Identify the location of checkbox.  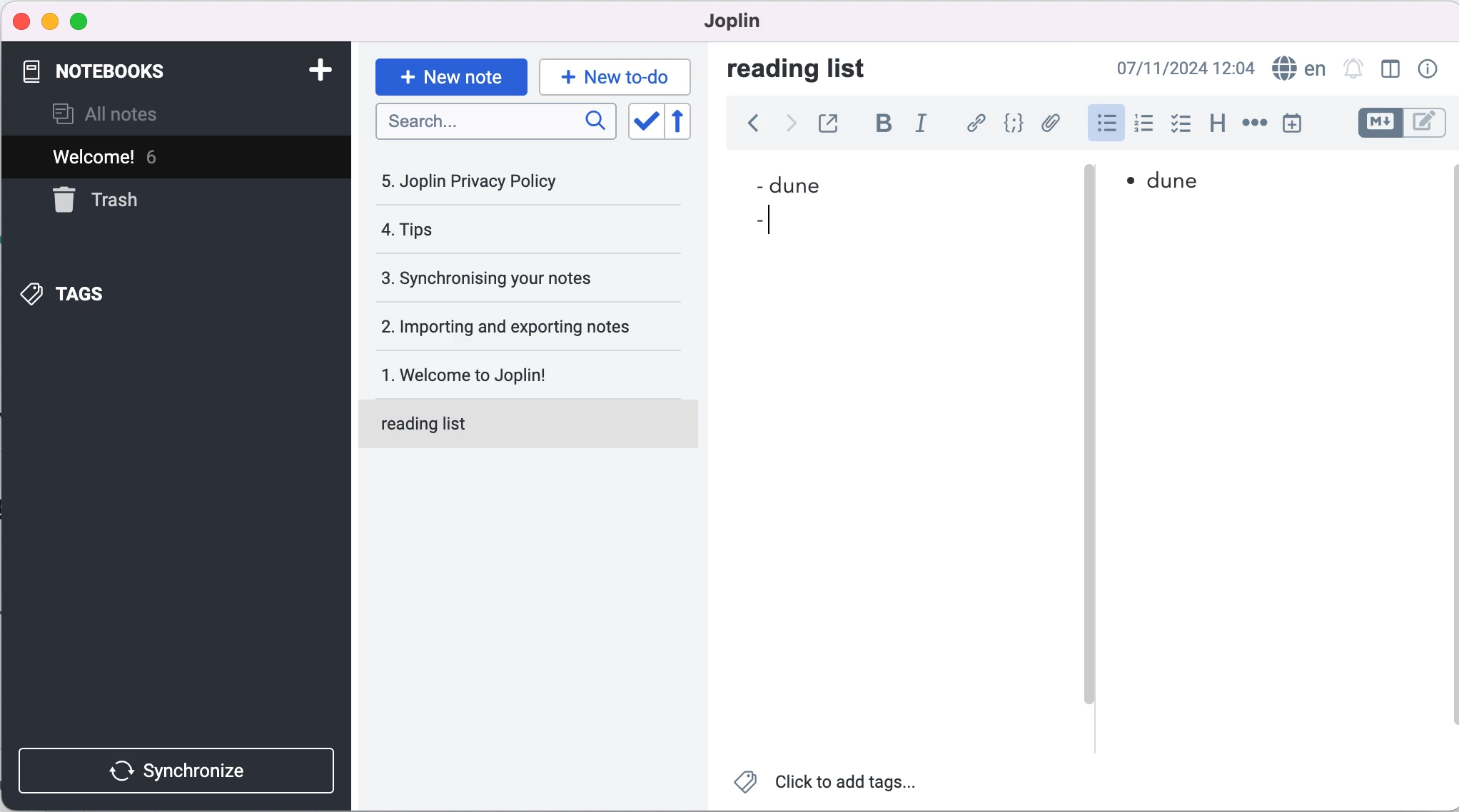
(1183, 126).